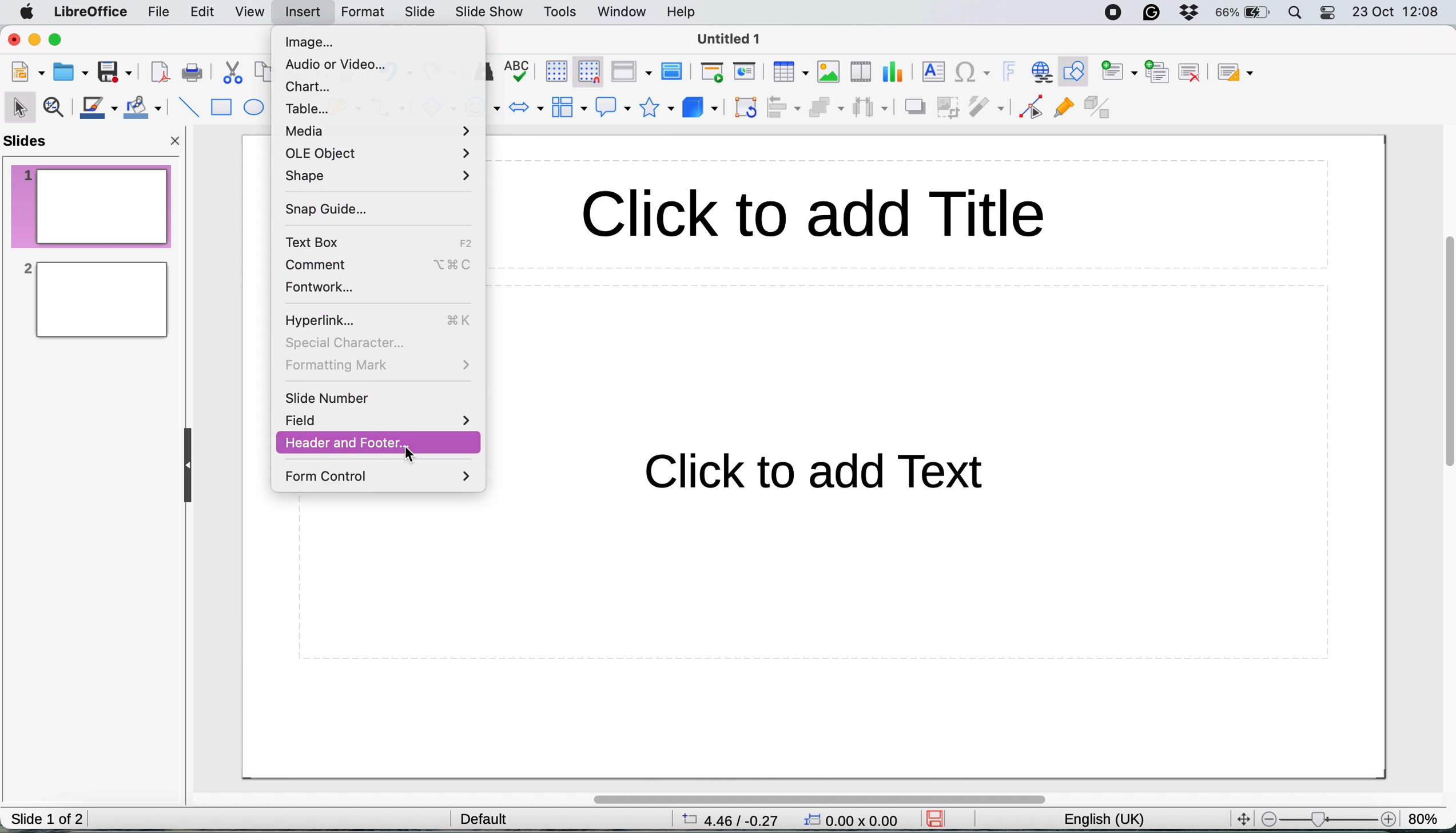 The width and height of the screenshot is (1456, 833). I want to click on spotlight search, so click(1296, 13).